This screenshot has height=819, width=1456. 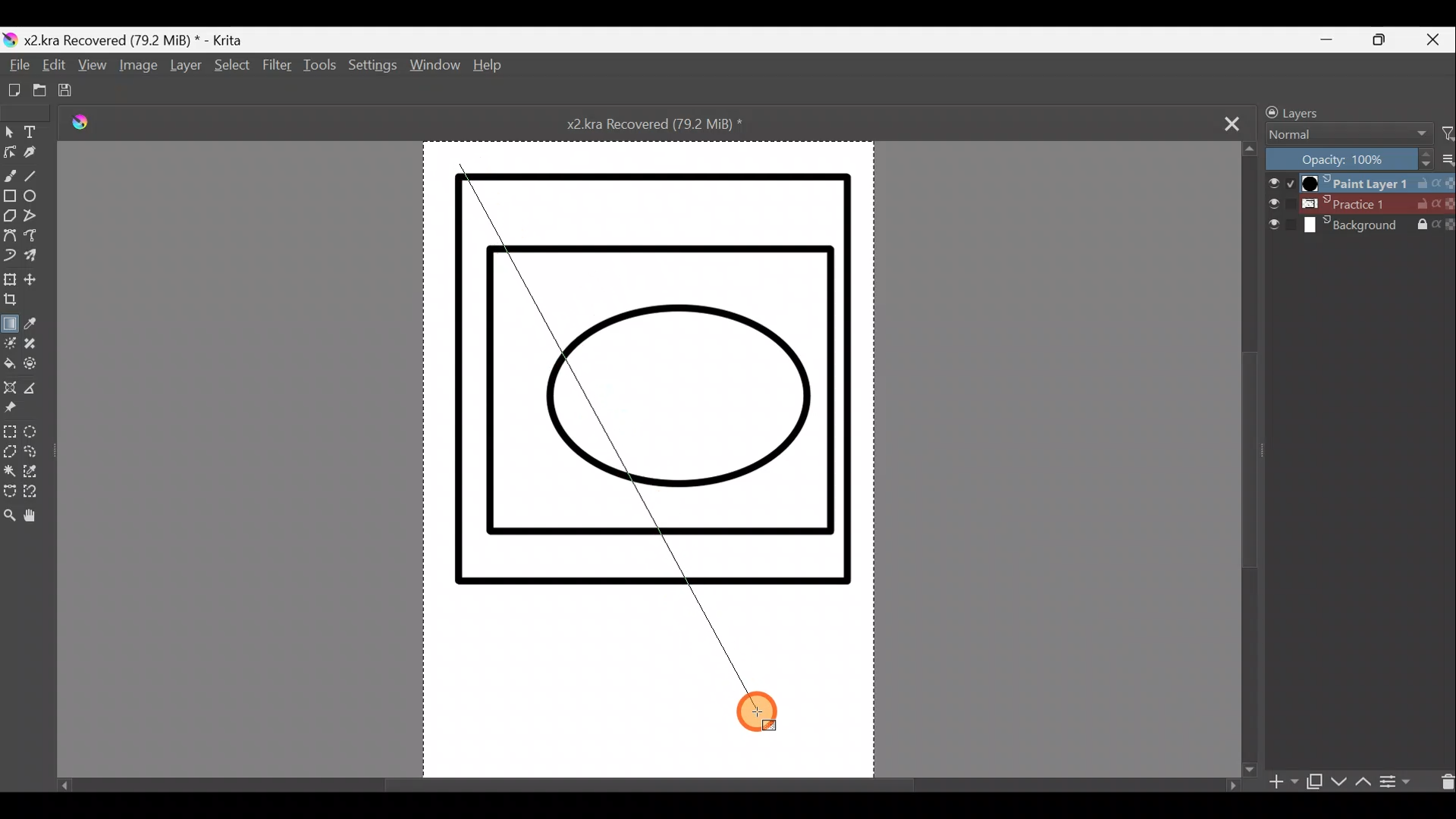 What do you see at coordinates (36, 257) in the screenshot?
I see `Multibrush tool` at bounding box center [36, 257].